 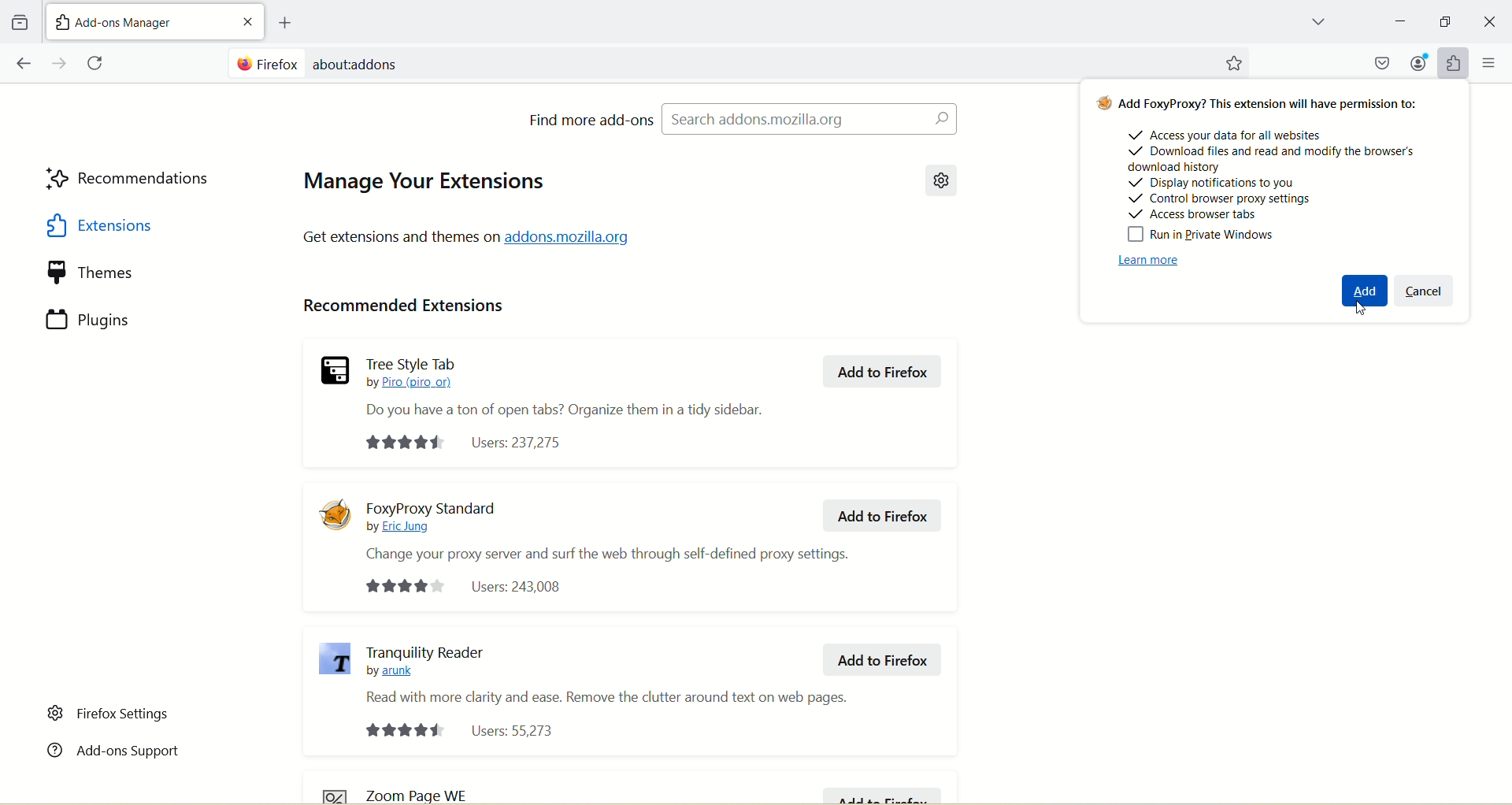 What do you see at coordinates (1426, 290) in the screenshot?
I see `Cancel` at bounding box center [1426, 290].